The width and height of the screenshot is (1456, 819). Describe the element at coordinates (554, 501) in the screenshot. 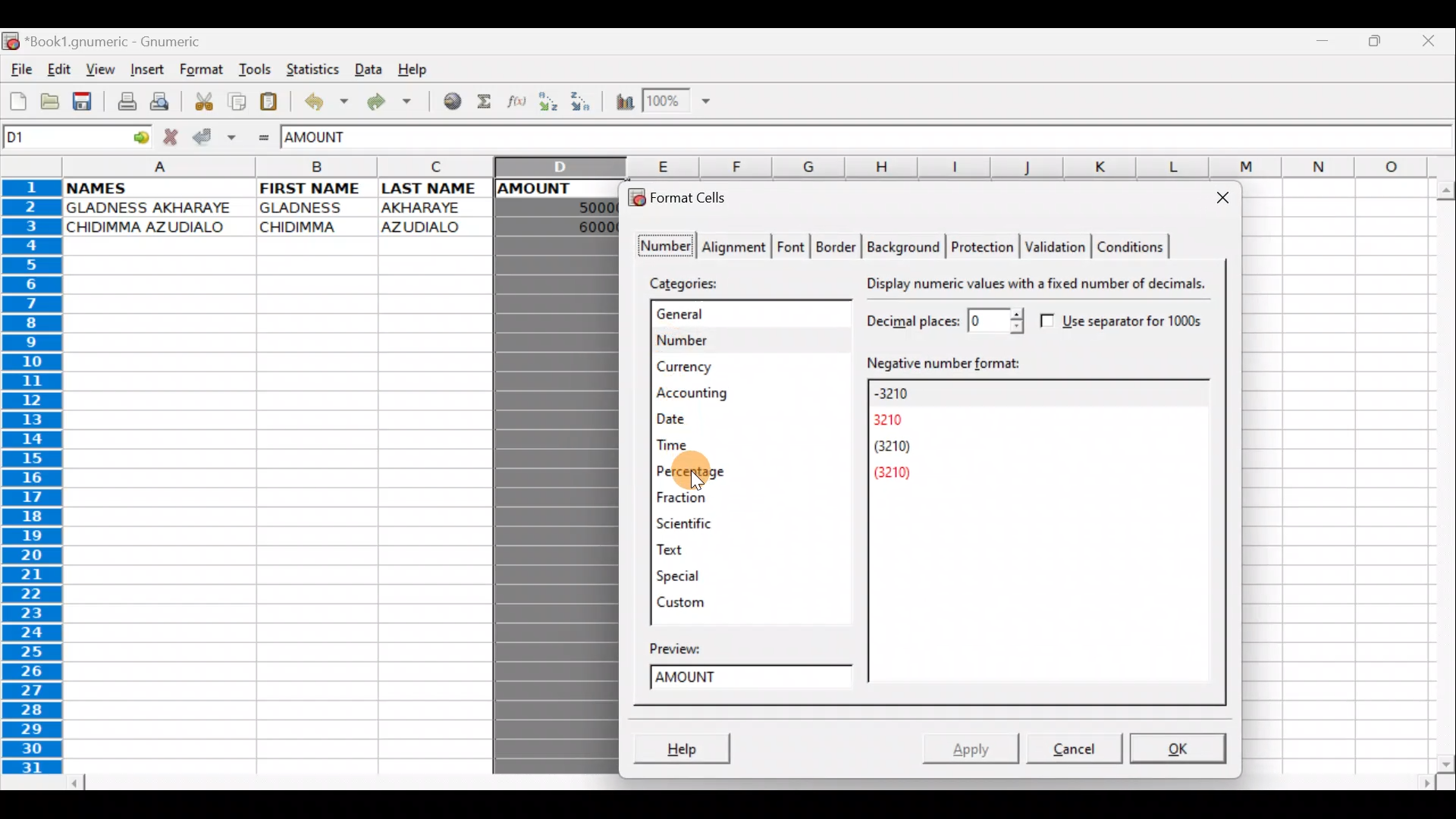

I see `Column D selected` at that location.